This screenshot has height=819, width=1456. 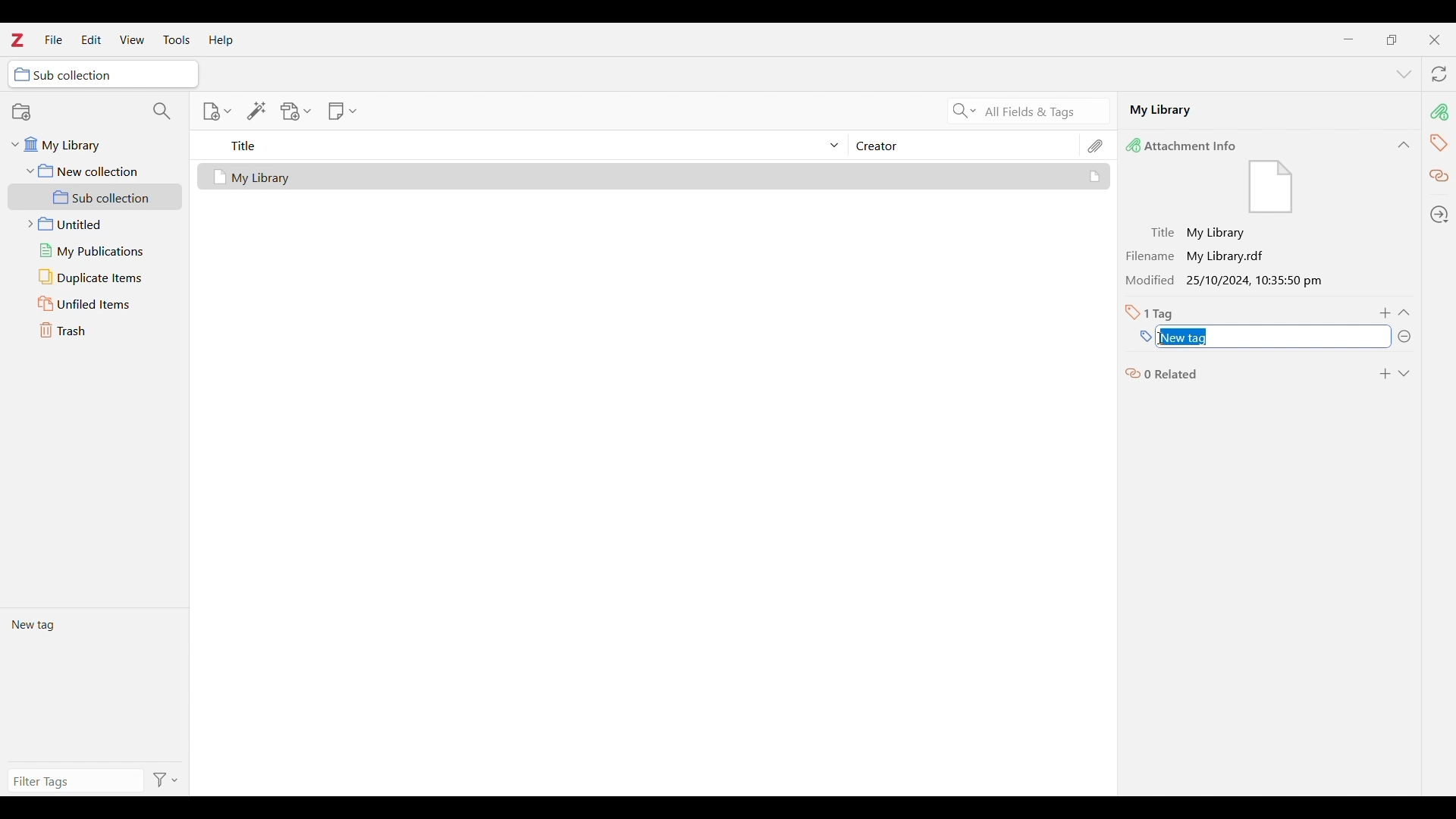 What do you see at coordinates (91, 39) in the screenshot?
I see `Edit menu` at bounding box center [91, 39].